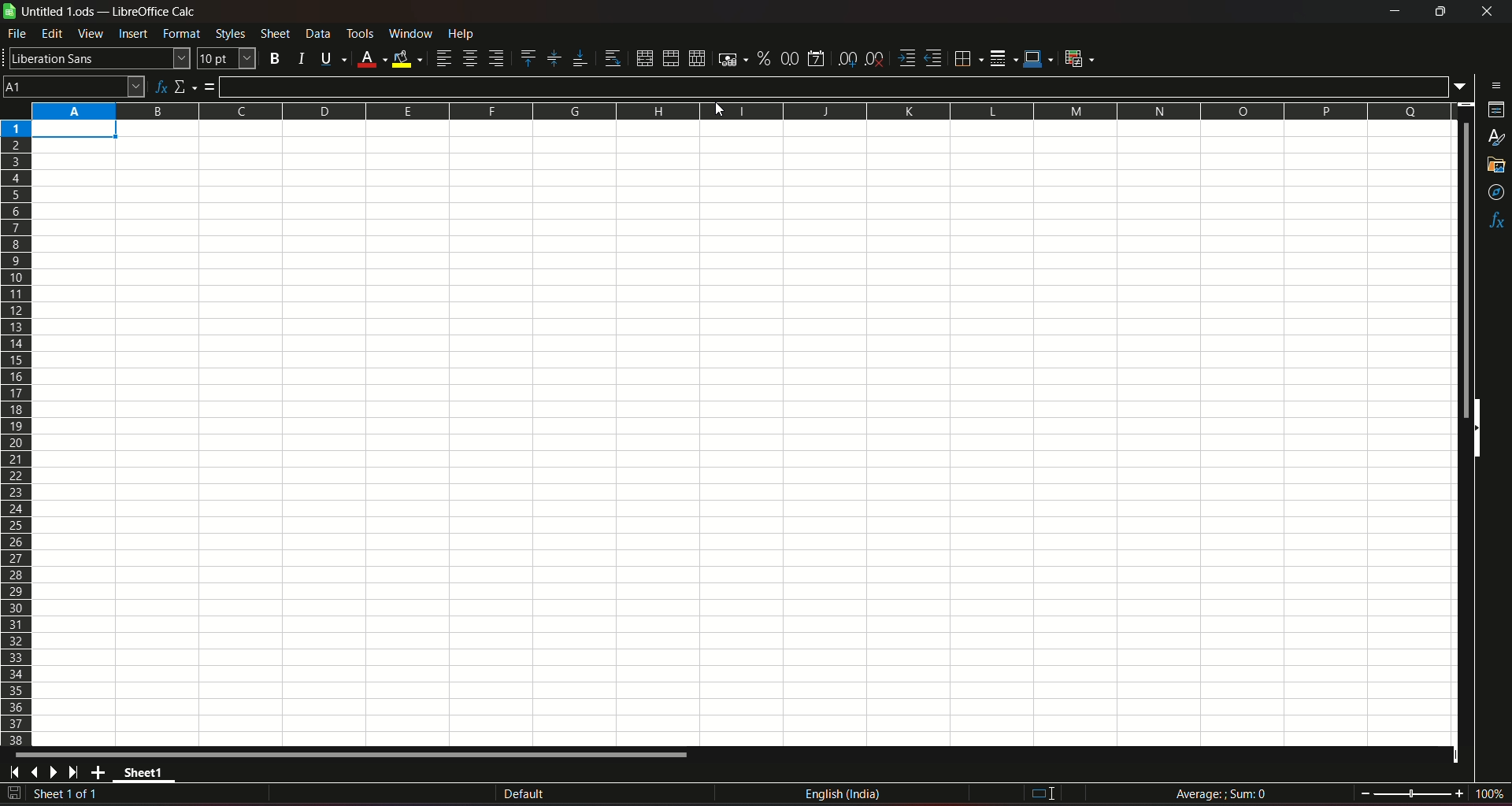  Describe the element at coordinates (228, 34) in the screenshot. I see `Styles` at that location.